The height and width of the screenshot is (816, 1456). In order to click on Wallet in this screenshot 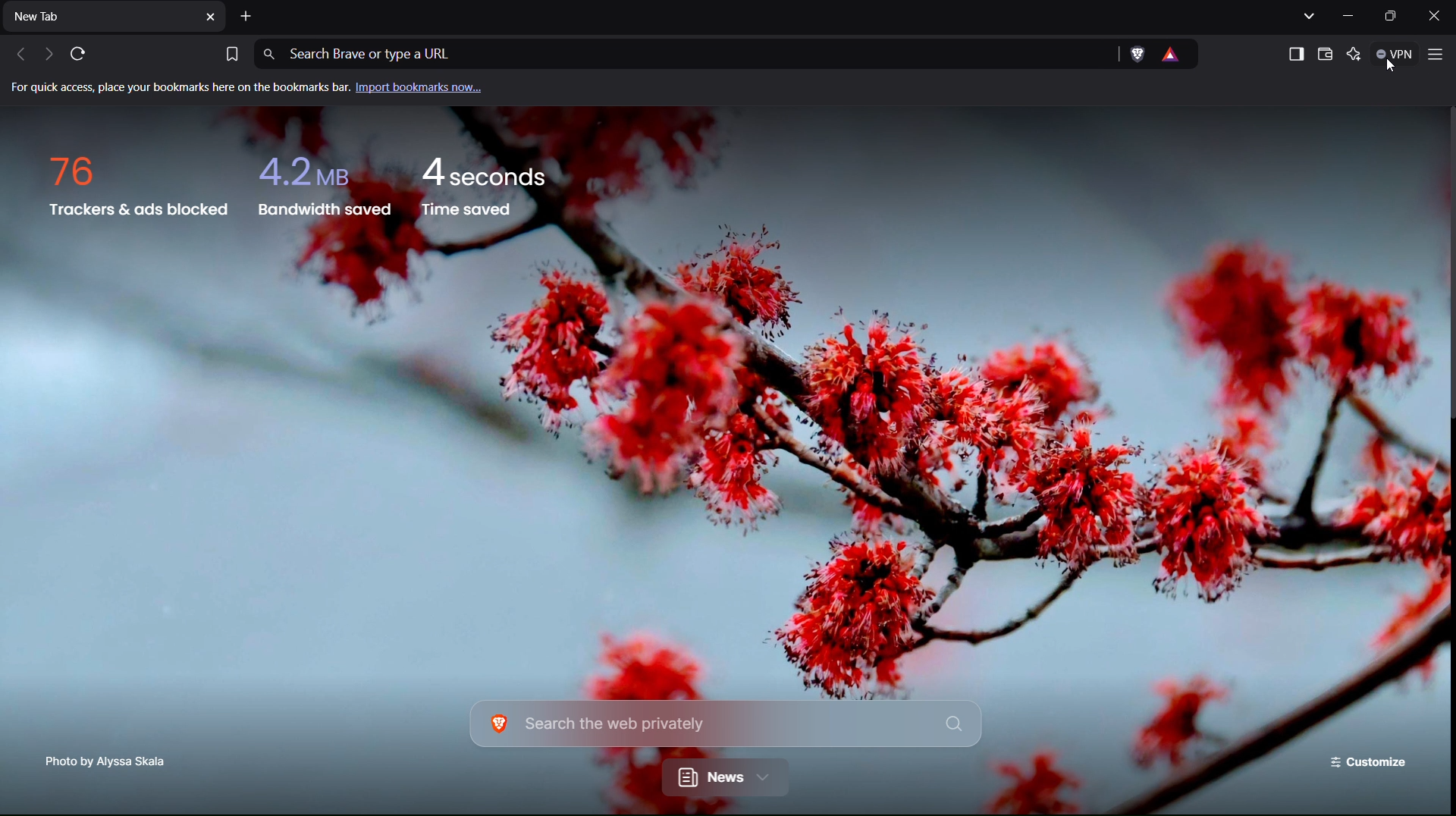, I will do `click(1326, 54)`.